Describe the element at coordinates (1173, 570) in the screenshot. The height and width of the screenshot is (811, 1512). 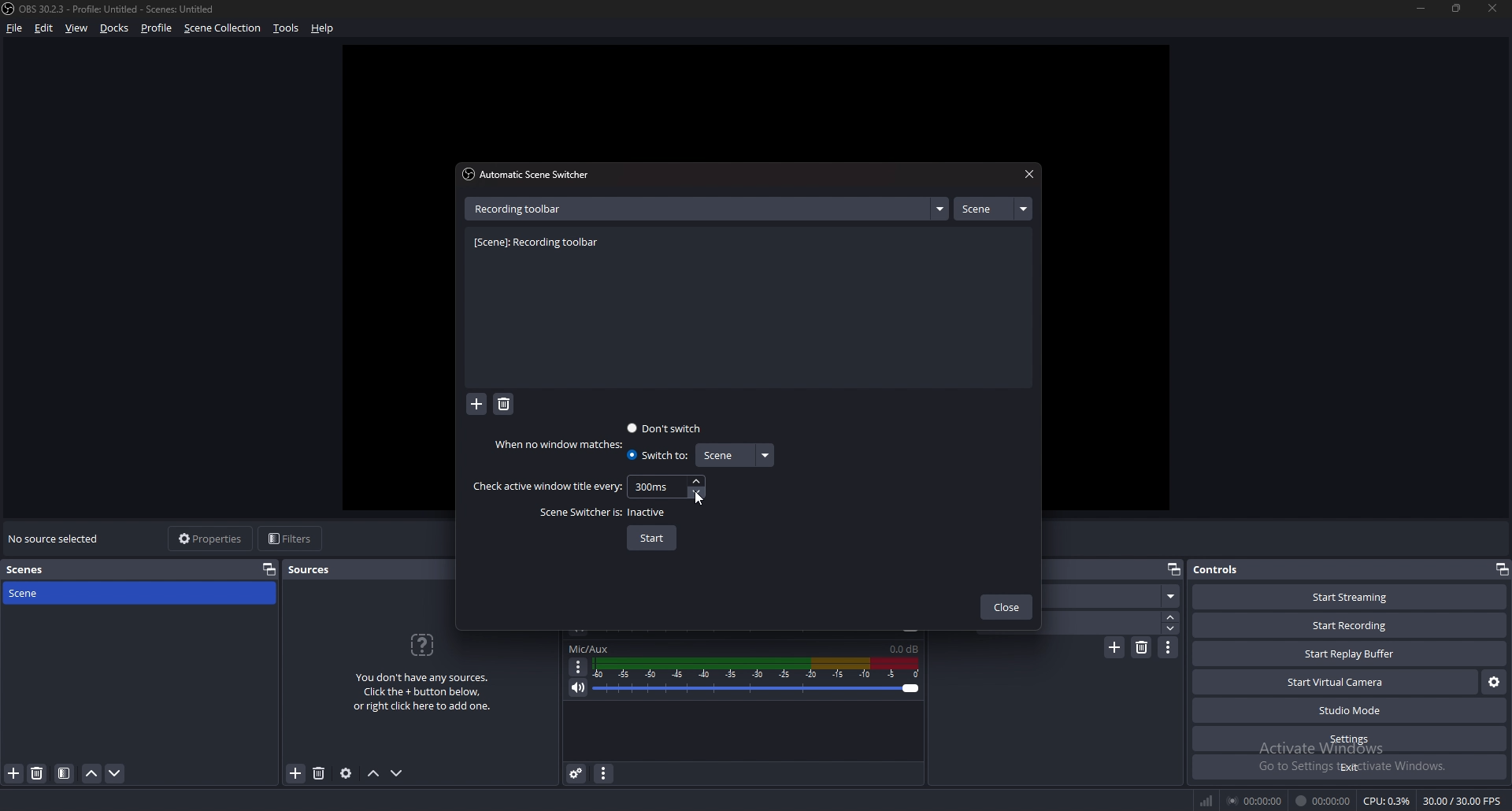
I see `pop out` at that location.